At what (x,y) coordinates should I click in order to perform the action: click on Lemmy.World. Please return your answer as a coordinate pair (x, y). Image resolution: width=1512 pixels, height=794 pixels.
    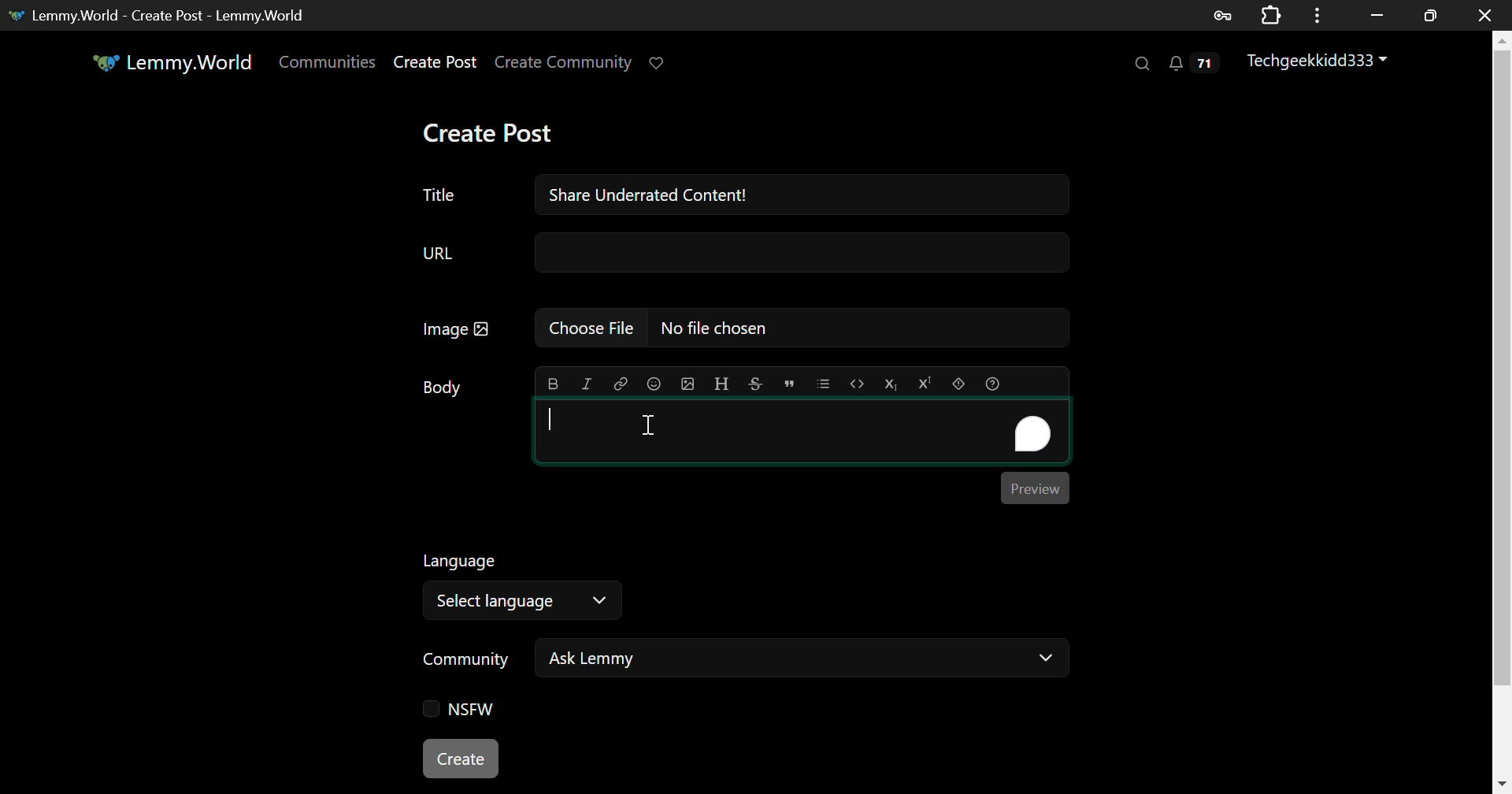
    Looking at the image, I should click on (175, 62).